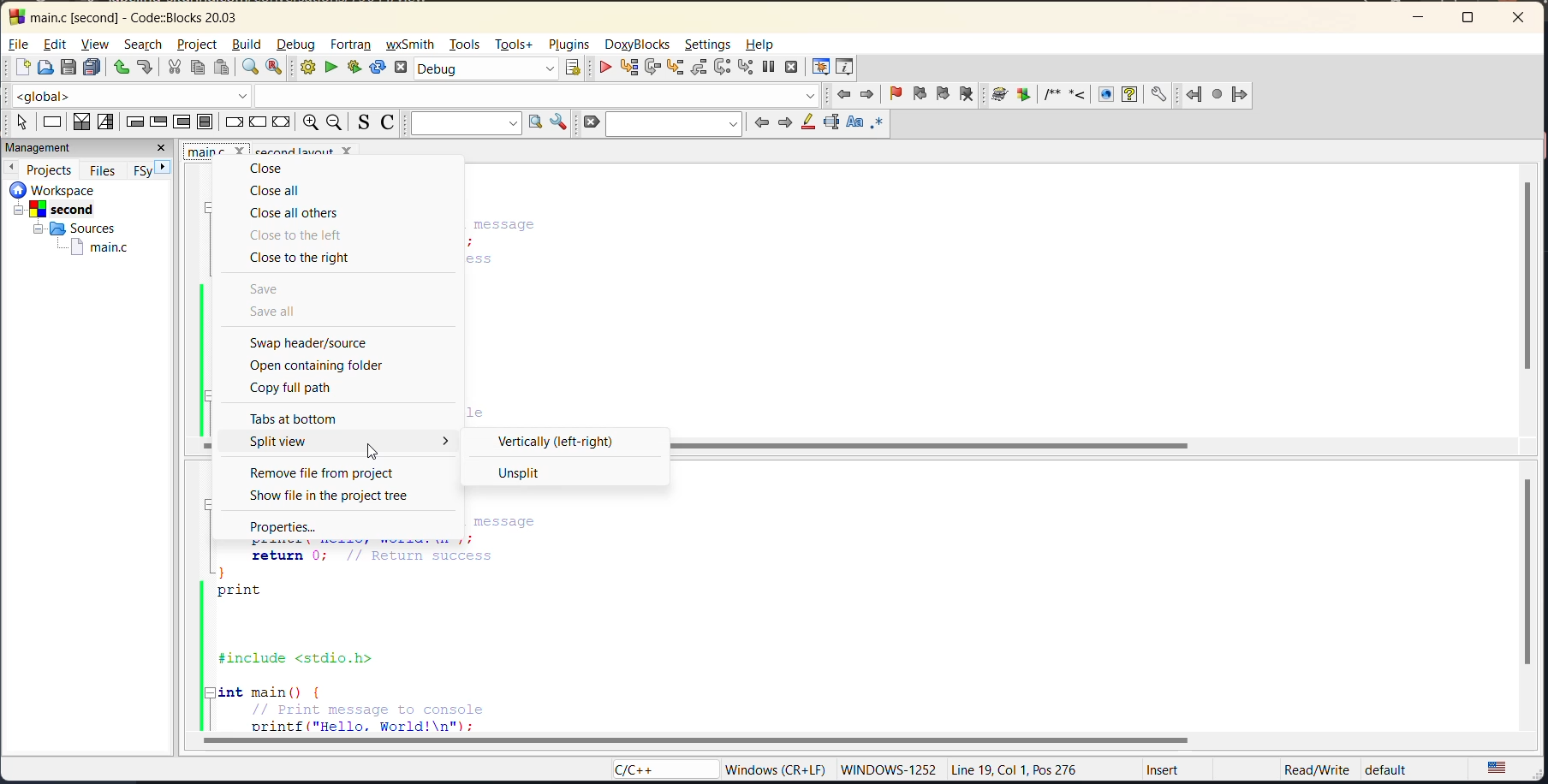  What do you see at coordinates (69, 68) in the screenshot?
I see `save` at bounding box center [69, 68].